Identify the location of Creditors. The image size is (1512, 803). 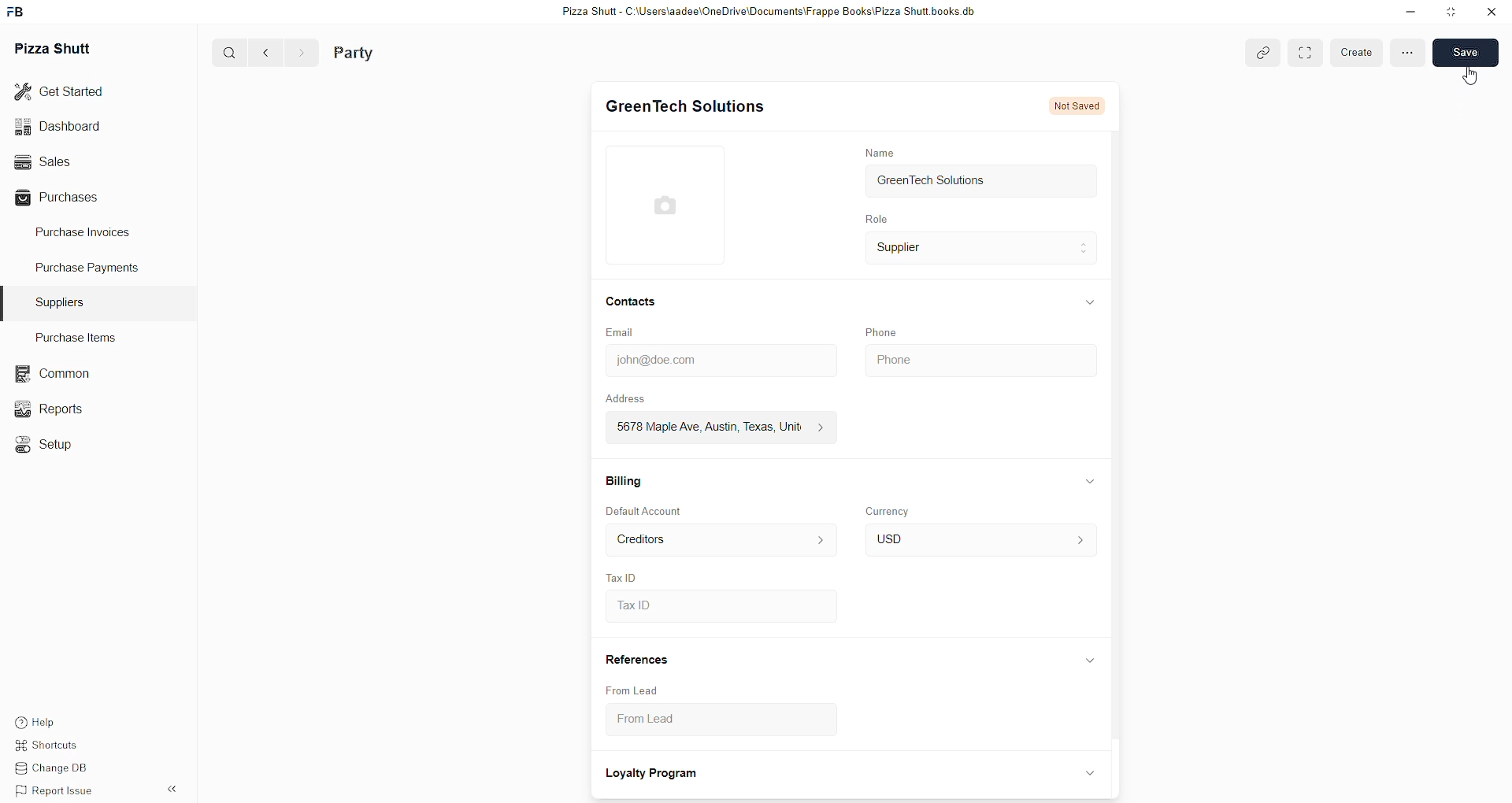
(718, 540).